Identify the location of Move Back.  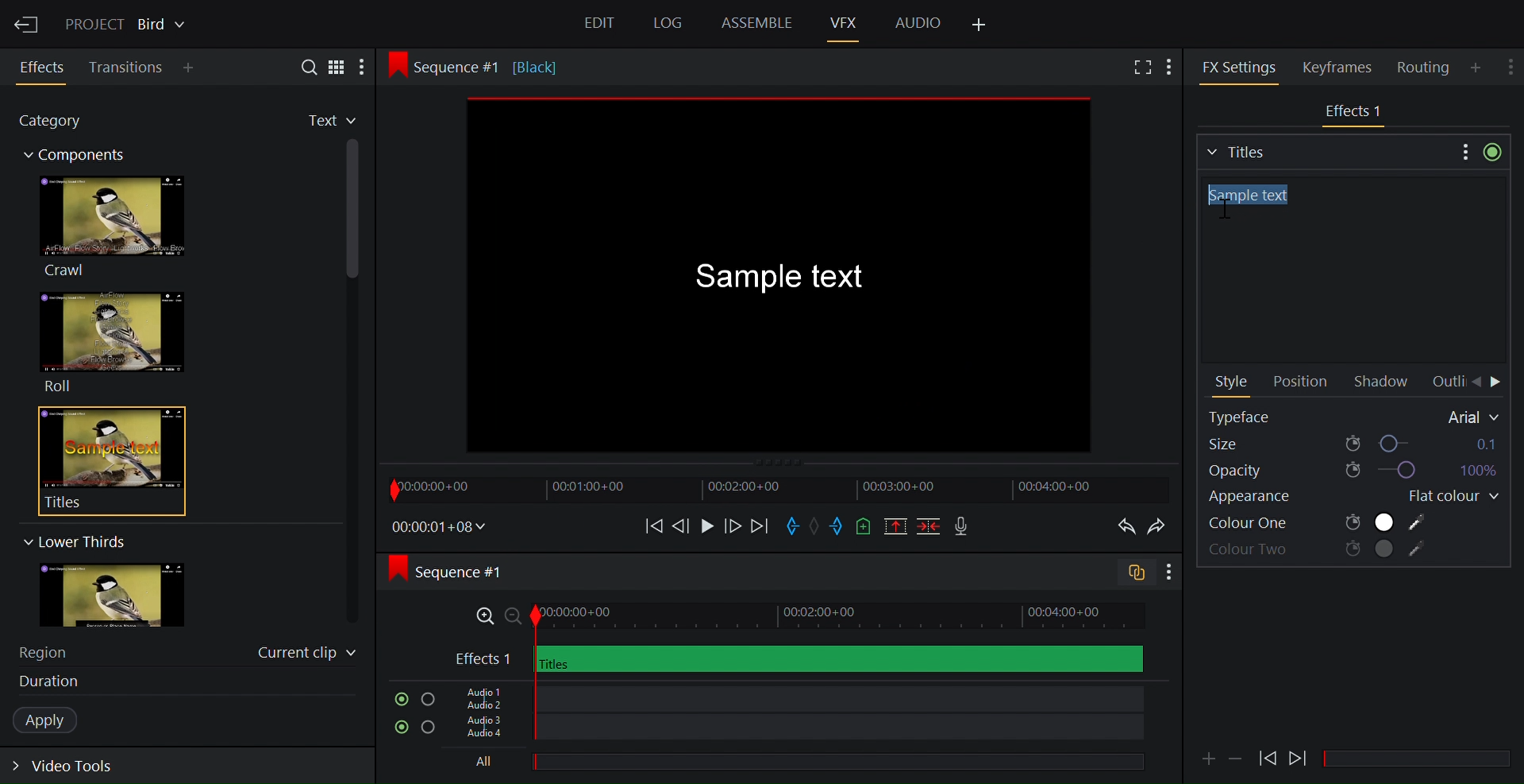
(1476, 382).